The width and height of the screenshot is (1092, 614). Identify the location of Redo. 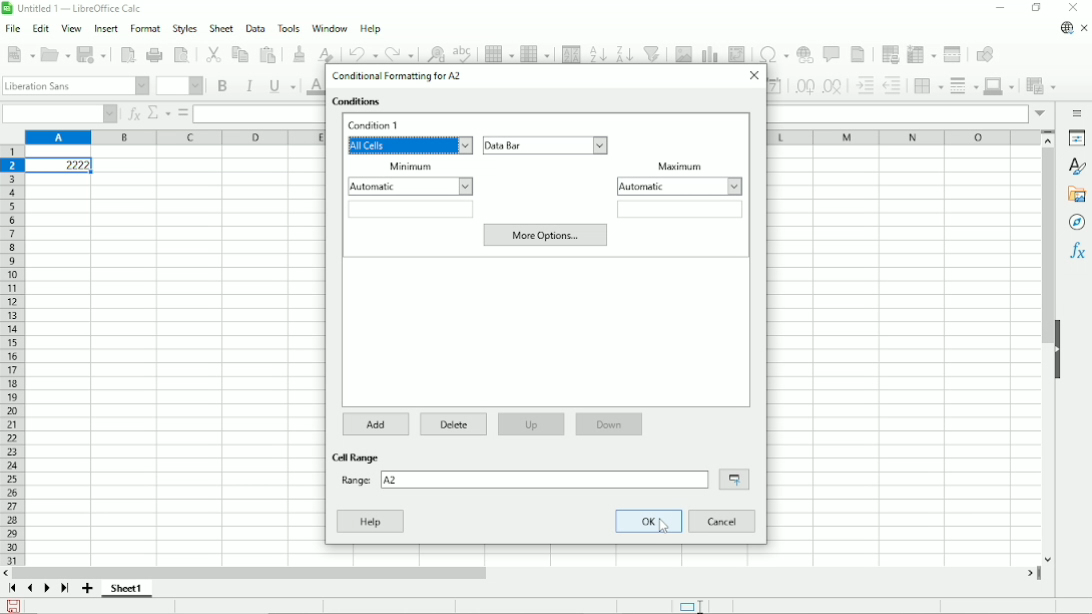
(399, 53).